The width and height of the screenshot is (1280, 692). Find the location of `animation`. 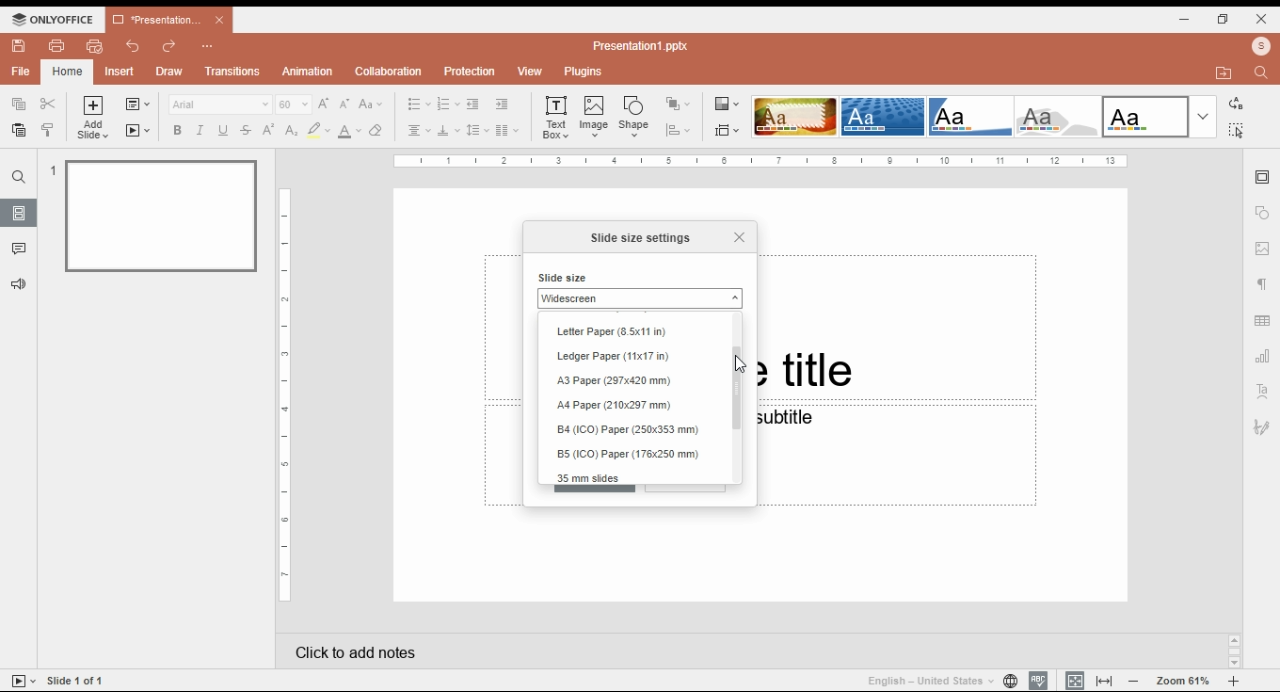

animation is located at coordinates (309, 71).